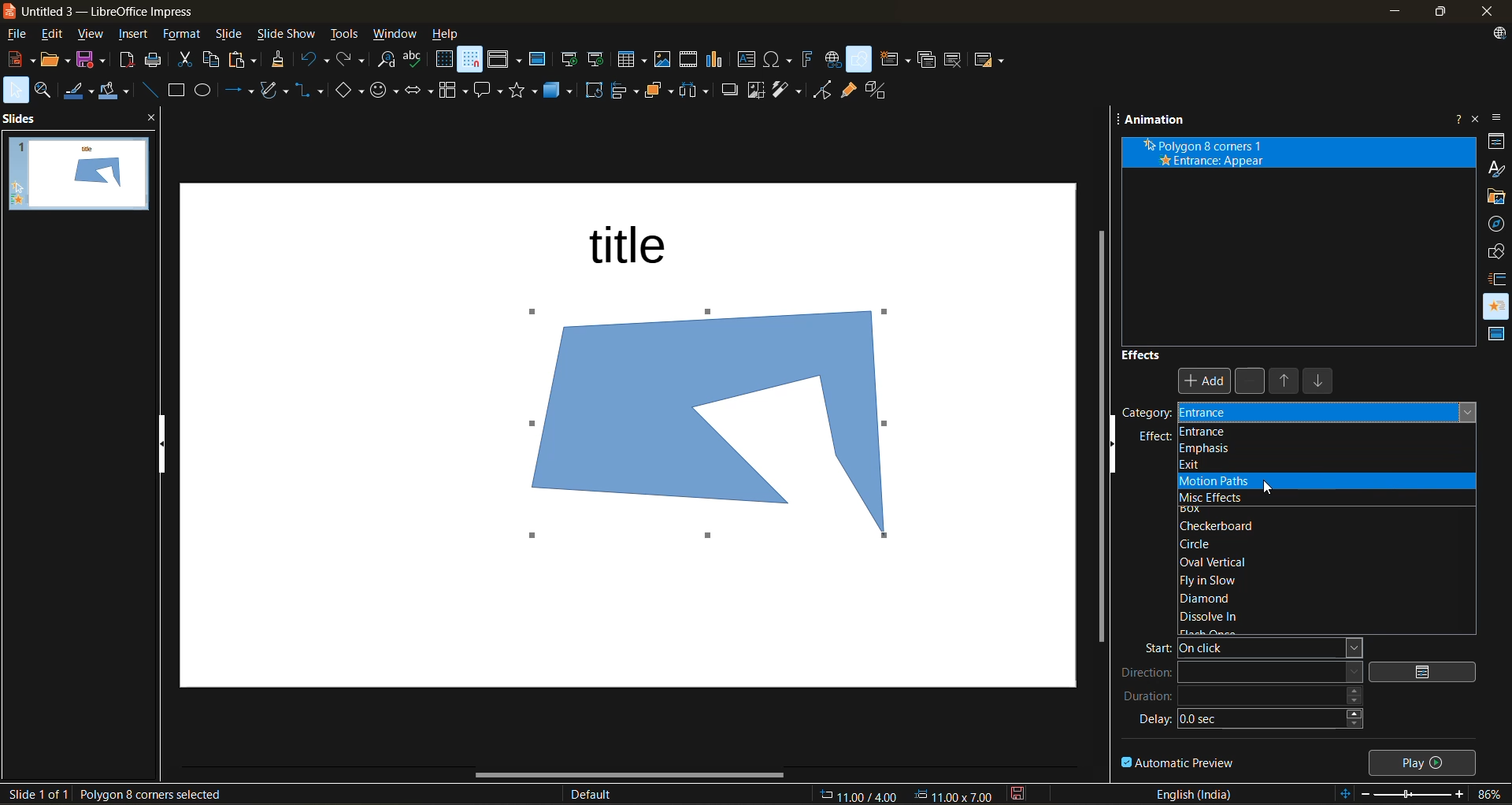 The image size is (1512, 805). I want to click on 3d objects, so click(561, 91).